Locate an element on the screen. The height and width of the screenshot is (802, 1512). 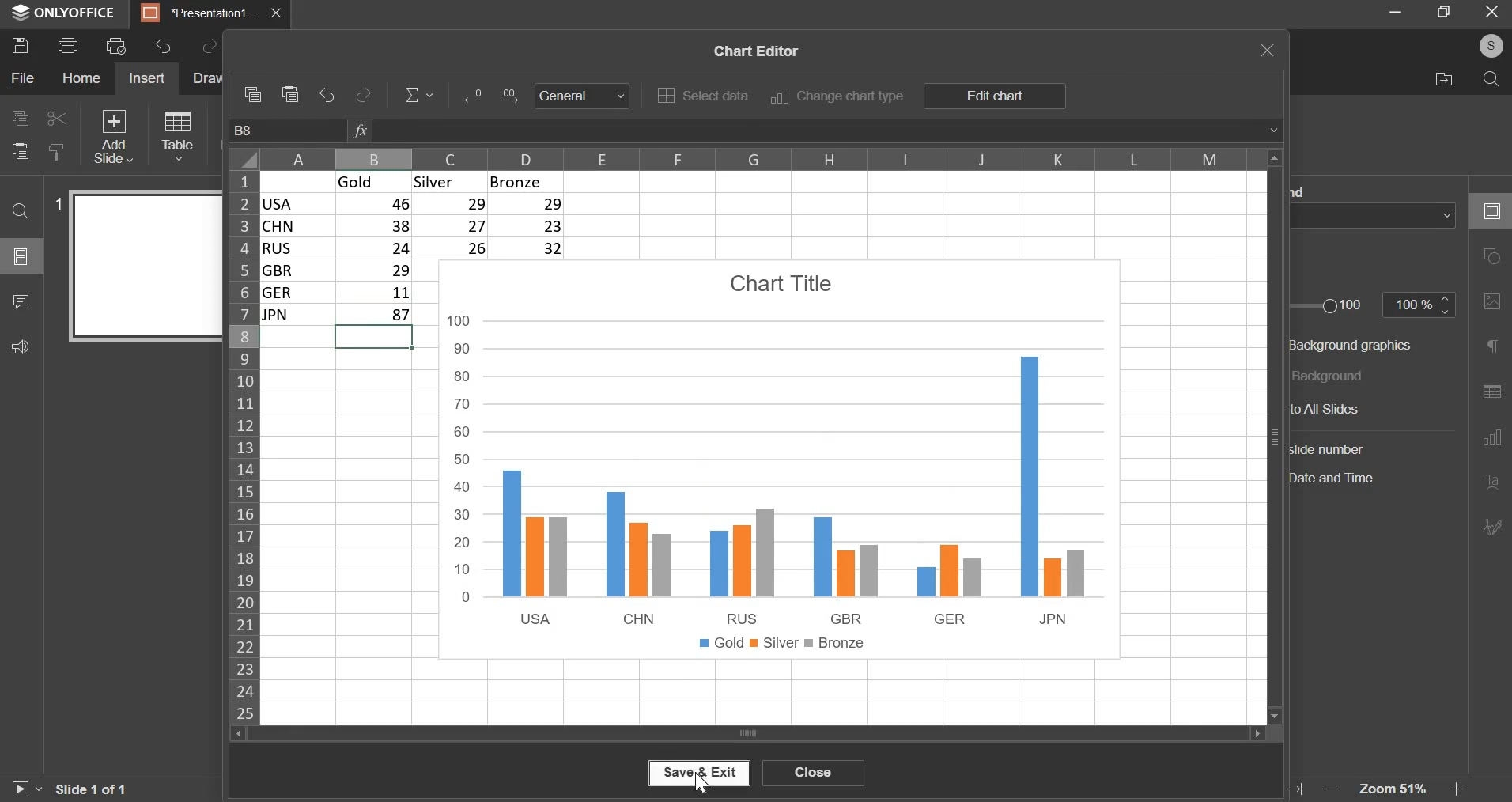
print preview is located at coordinates (116, 45).